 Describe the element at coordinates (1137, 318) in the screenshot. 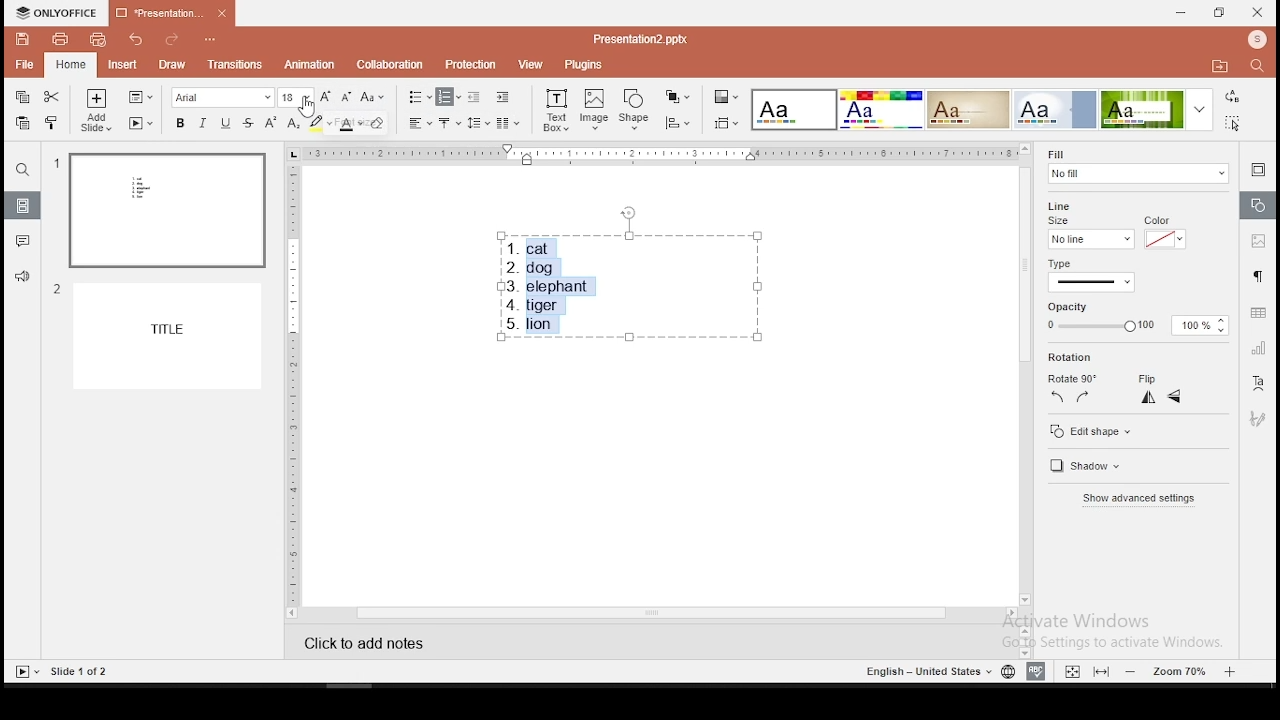

I see `opacity` at that location.